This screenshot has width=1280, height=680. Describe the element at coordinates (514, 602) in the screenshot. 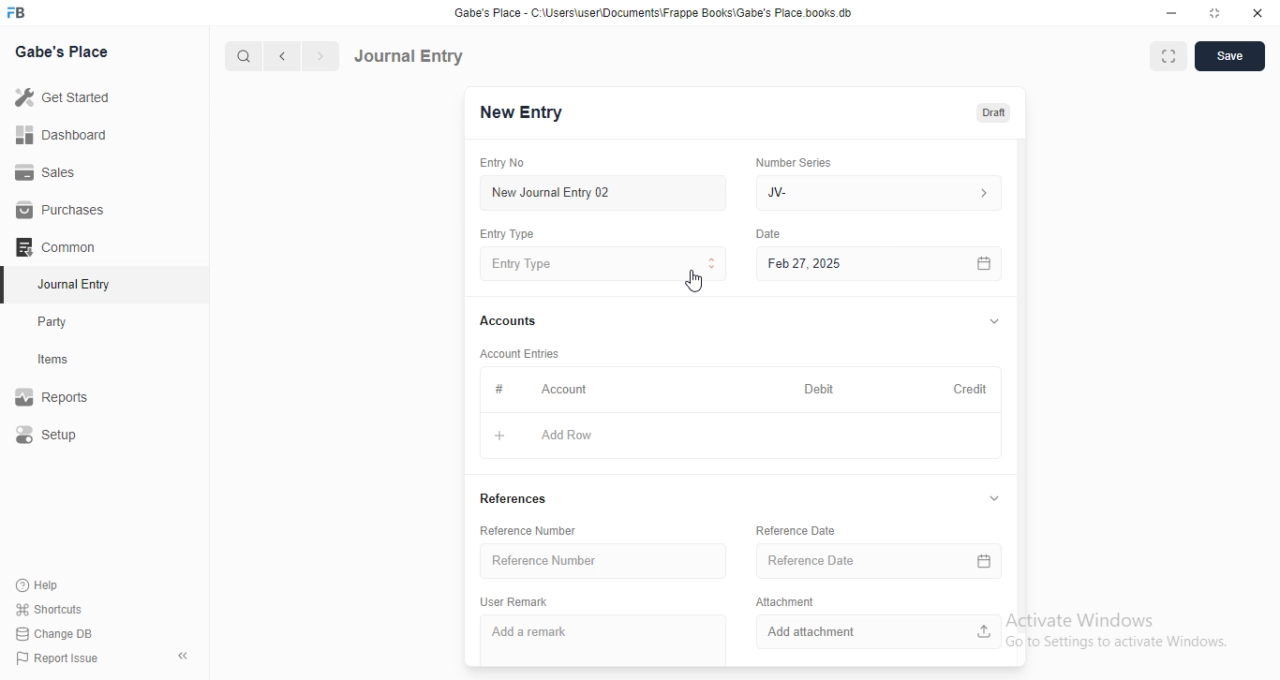

I see `‘User Remark` at that location.